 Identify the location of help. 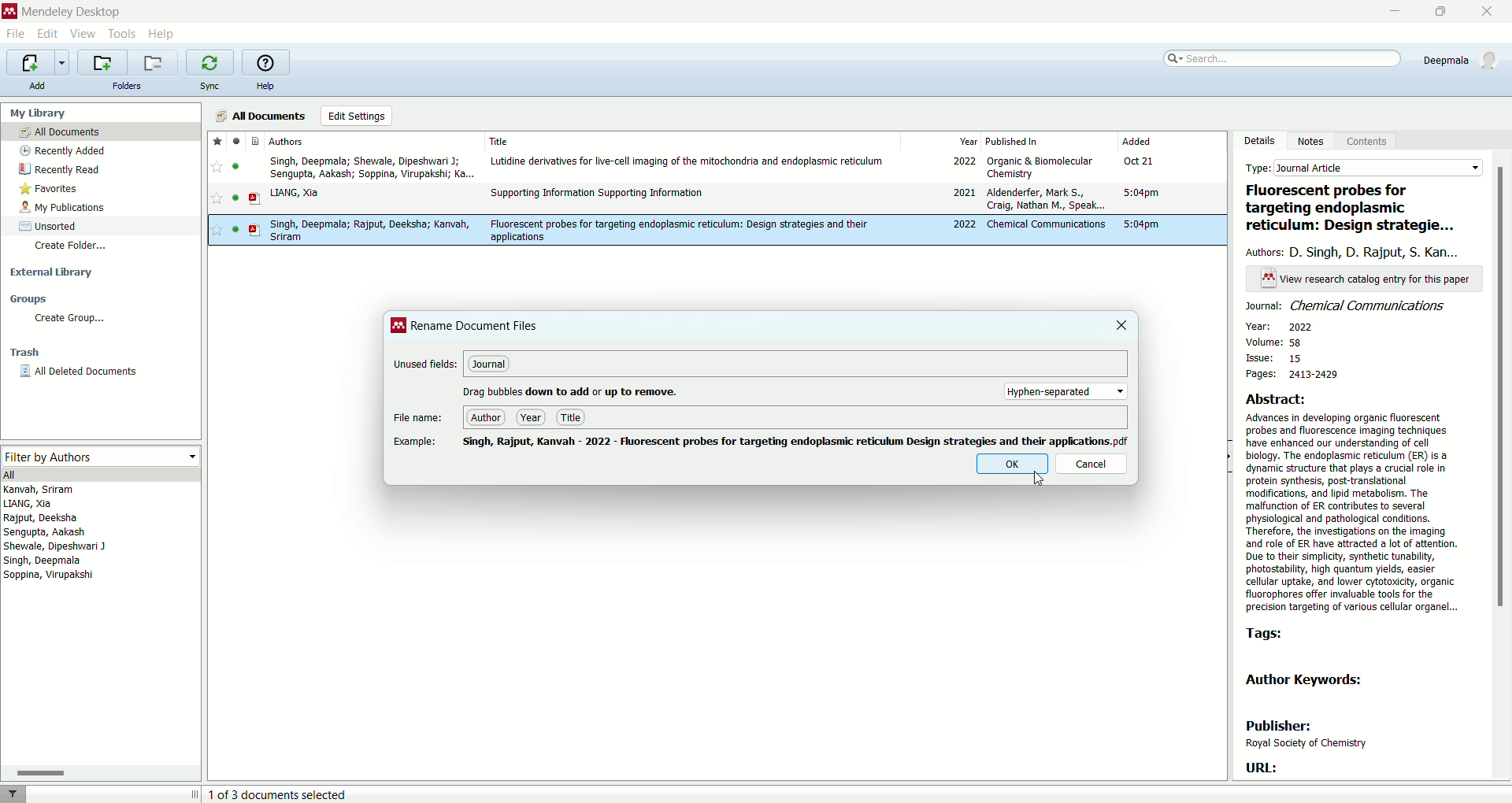
(265, 87).